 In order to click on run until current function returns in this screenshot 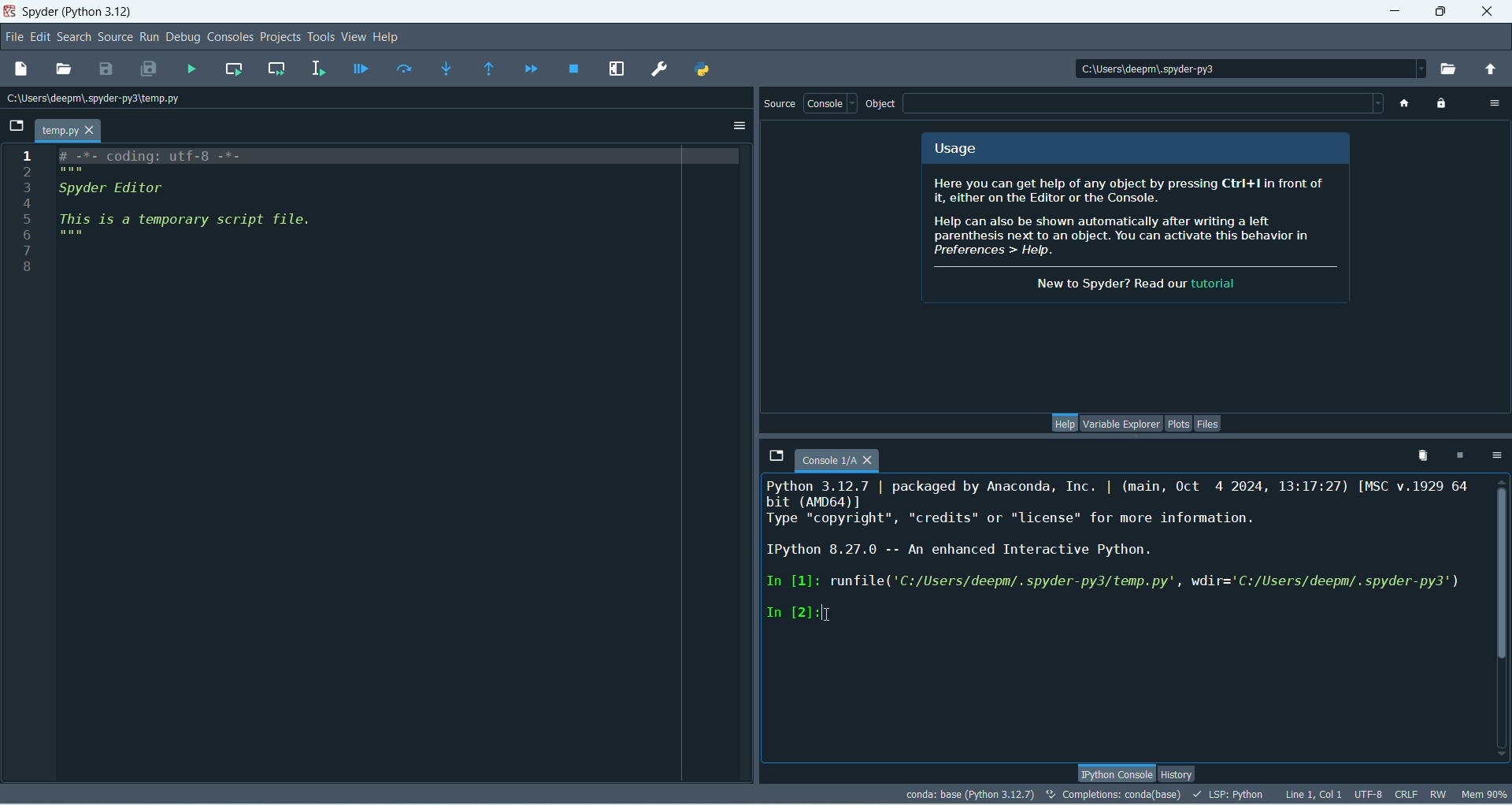, I will do `click(489, 69)`.